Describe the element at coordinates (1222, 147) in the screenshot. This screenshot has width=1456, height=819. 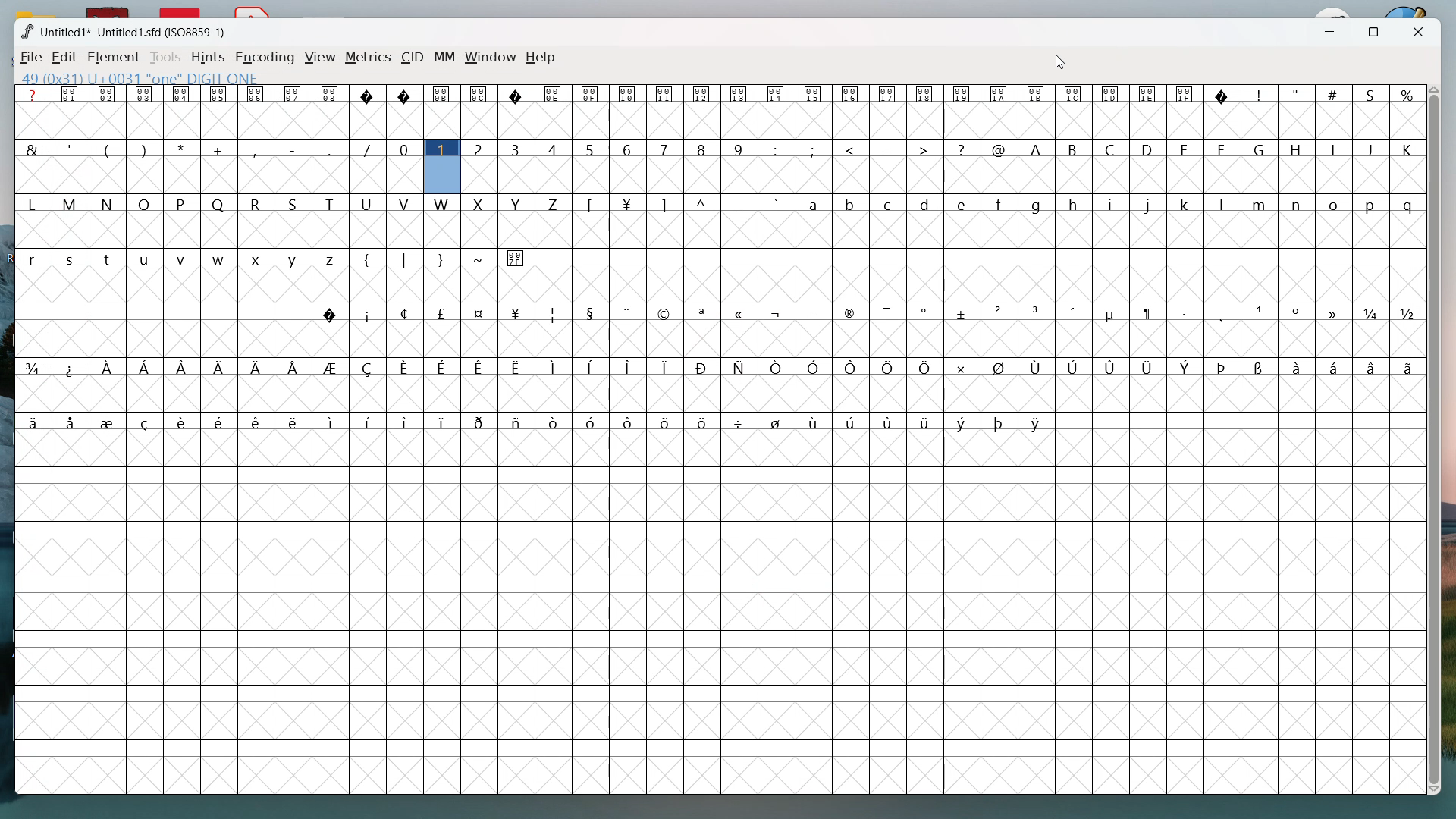
I see `F` at that location.